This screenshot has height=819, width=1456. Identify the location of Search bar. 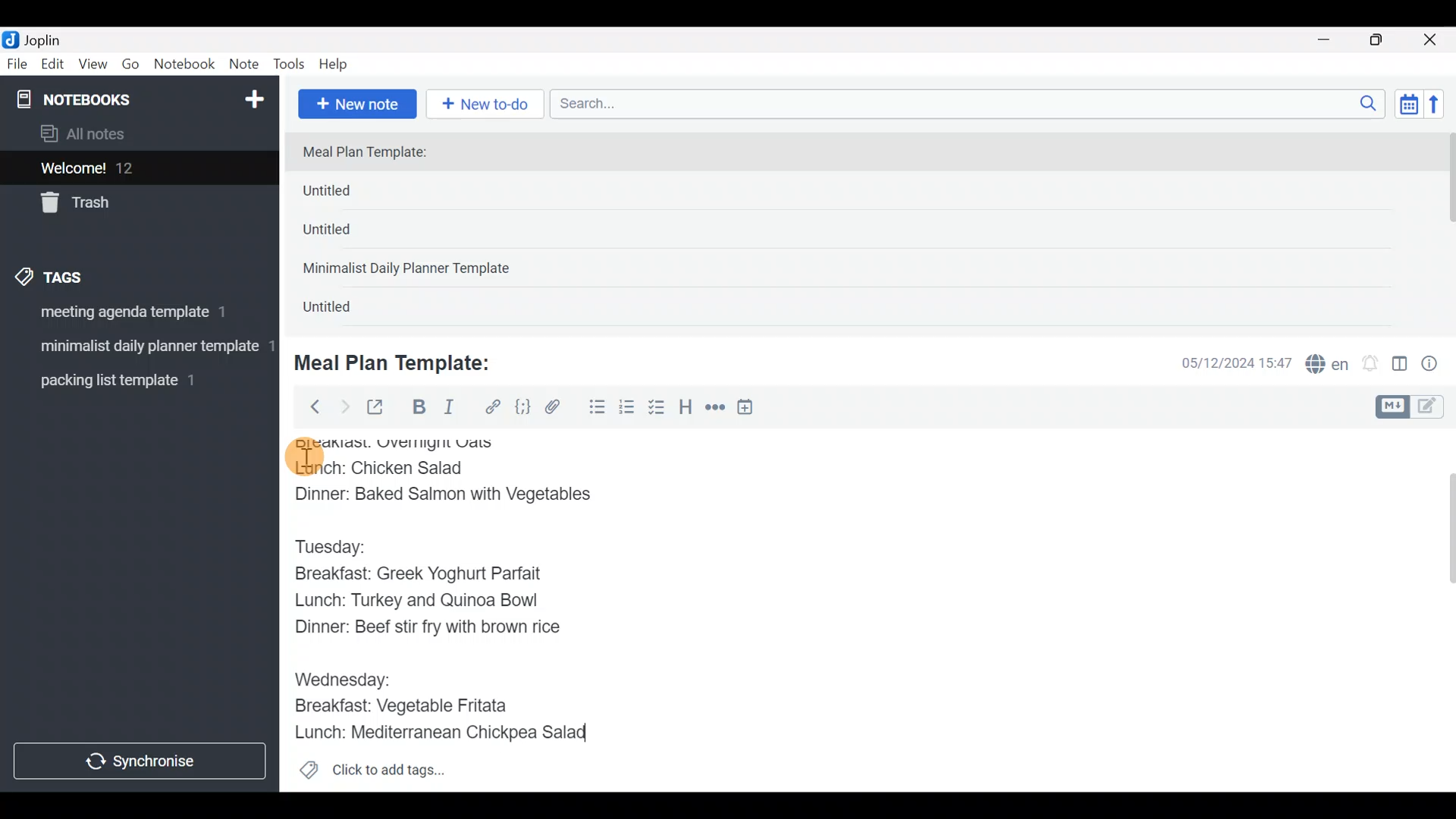
(971, 102).